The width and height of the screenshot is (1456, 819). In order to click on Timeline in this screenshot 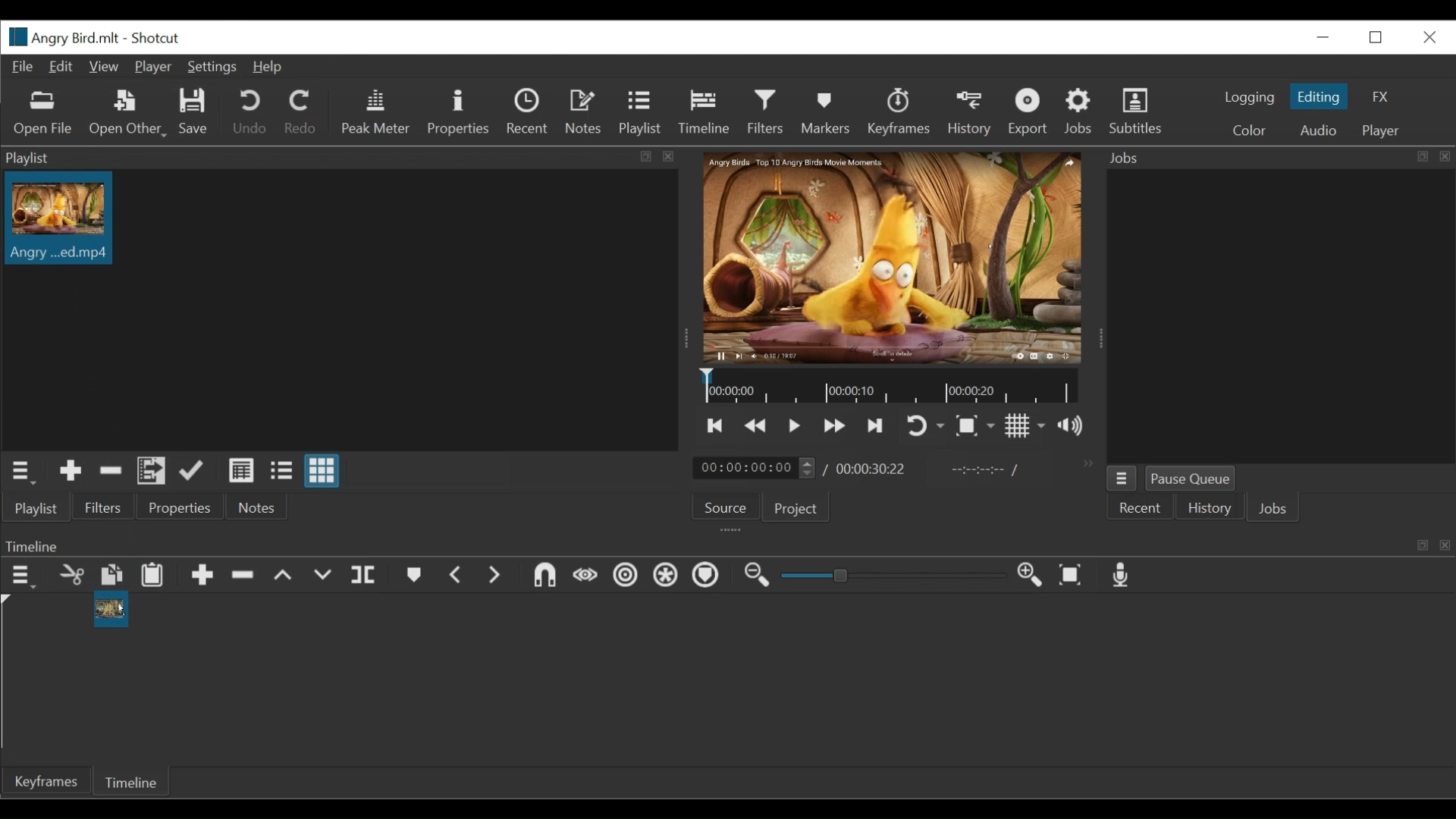, I will do `click(704, 113)`.